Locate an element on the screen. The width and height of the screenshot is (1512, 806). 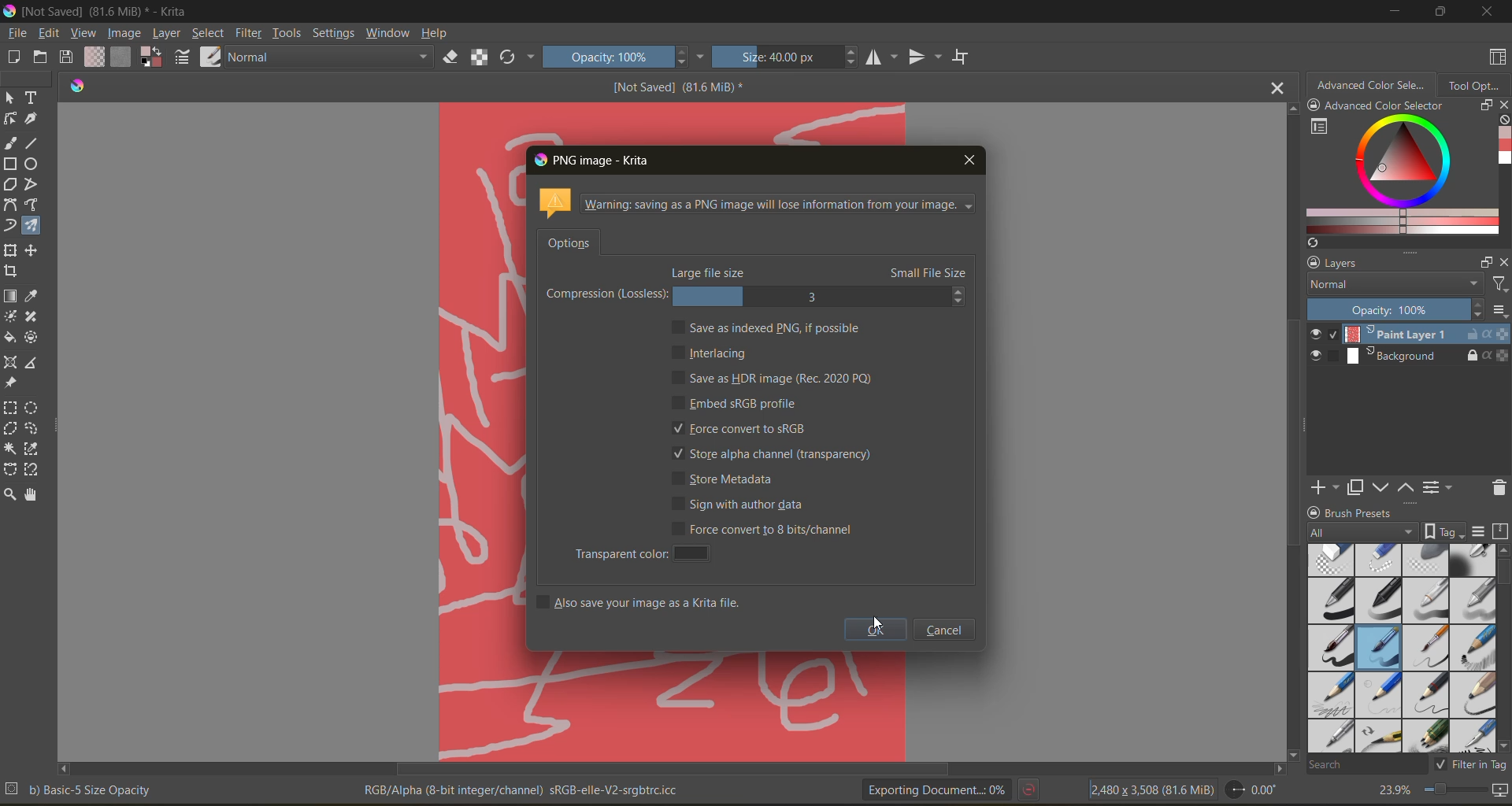
map the canvas is located at coordinates (1502, 793).